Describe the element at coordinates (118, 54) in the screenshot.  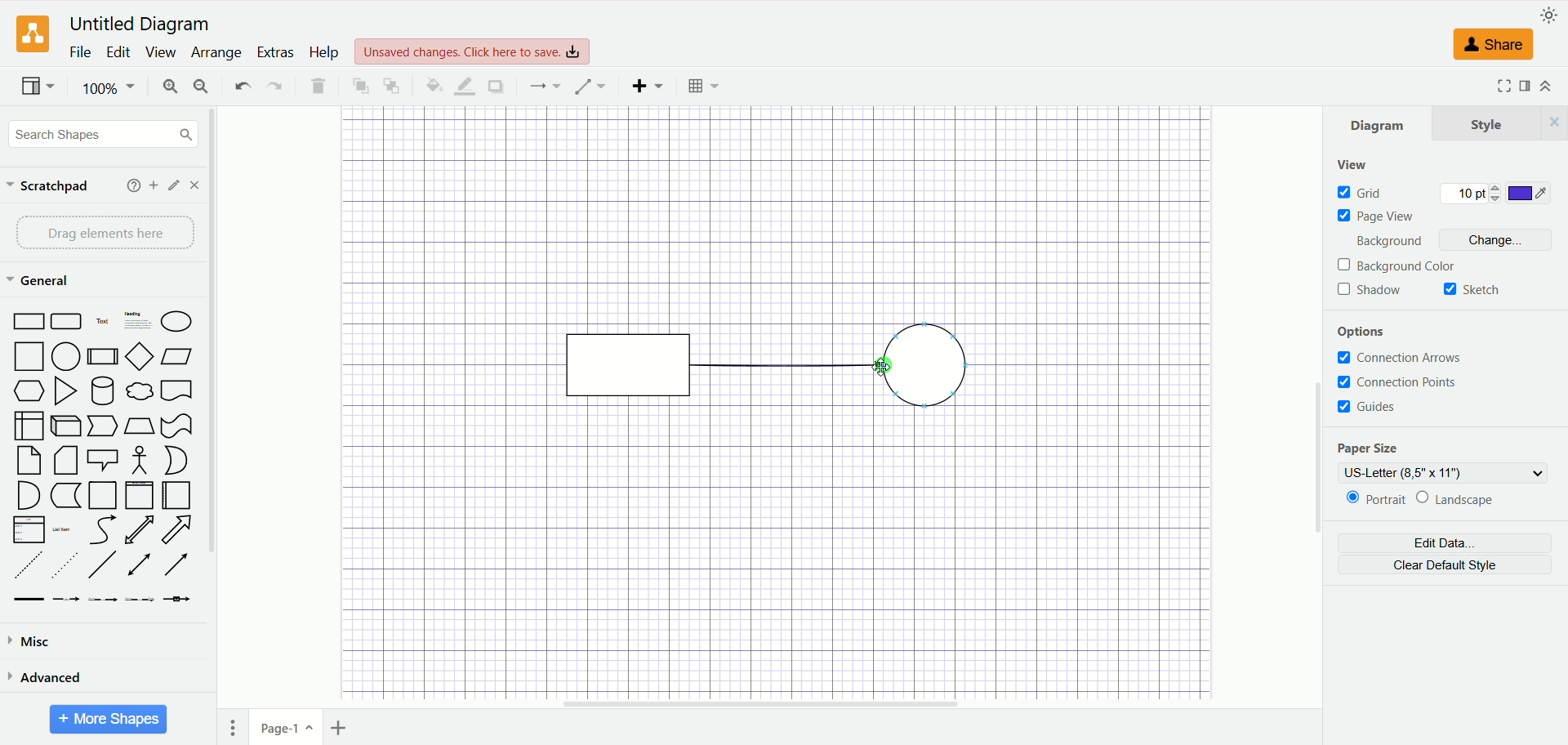
I see `edit` at that location.